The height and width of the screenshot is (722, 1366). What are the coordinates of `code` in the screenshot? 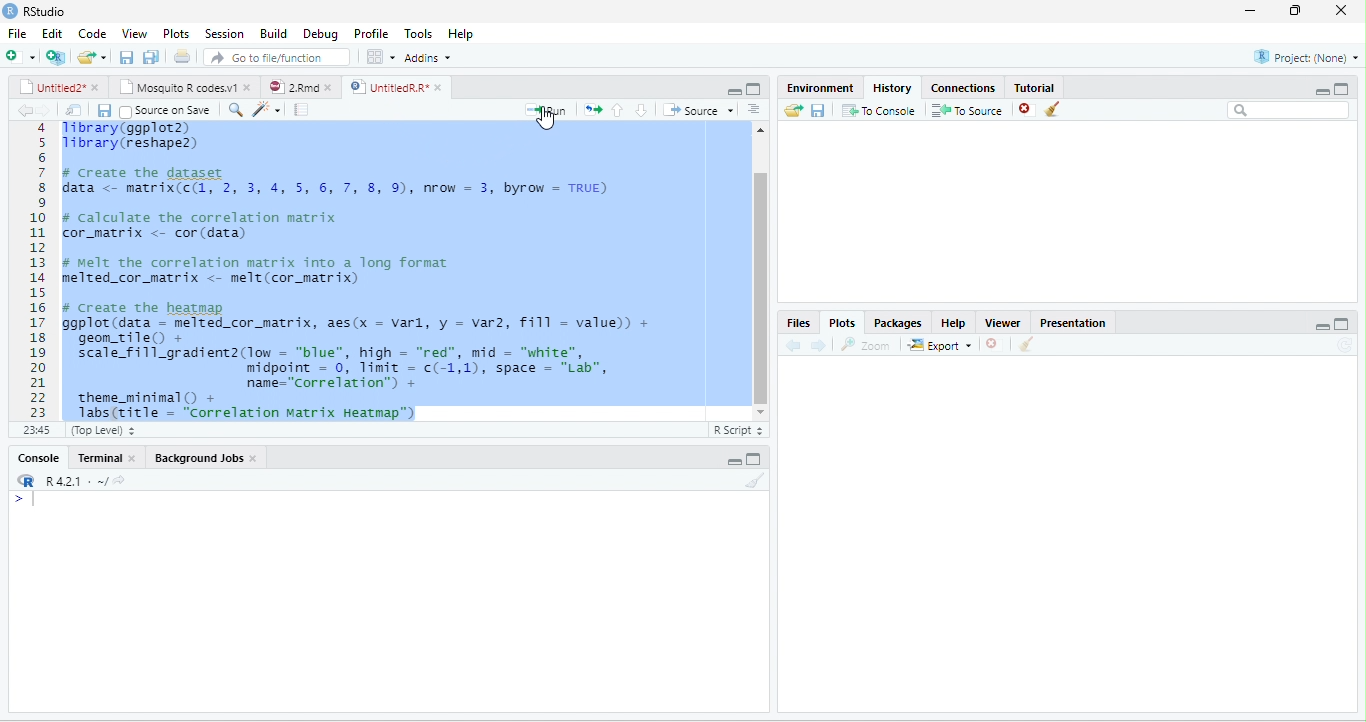 It's located at (92, 34).